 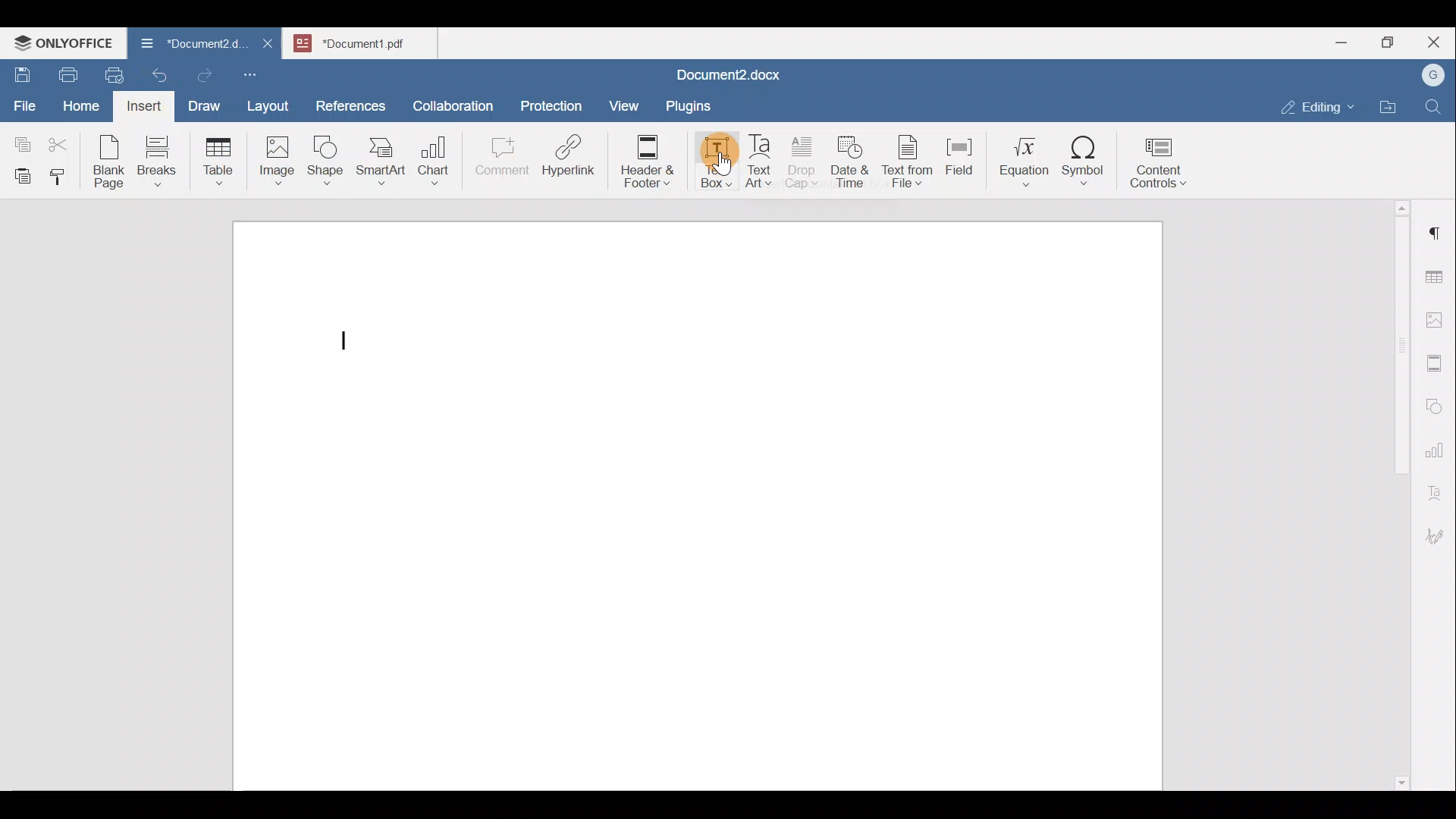 What do you see at coordinates (1084, 165) in the screenshot?
I see `Symbol` at bounding box center [1084, 165].